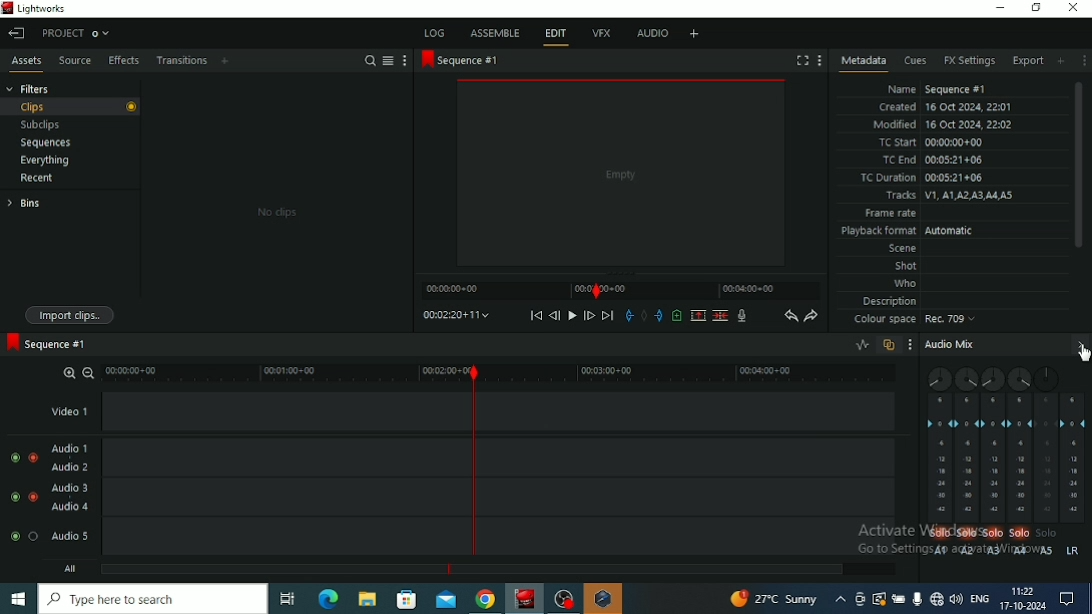 Image resolution: width=1092 pixels, height=614 pixels. What do you see at coordinates (478, 457) in the screenshot?
I see `Audio 1, Audio 2` at bounding box center [478, 457].